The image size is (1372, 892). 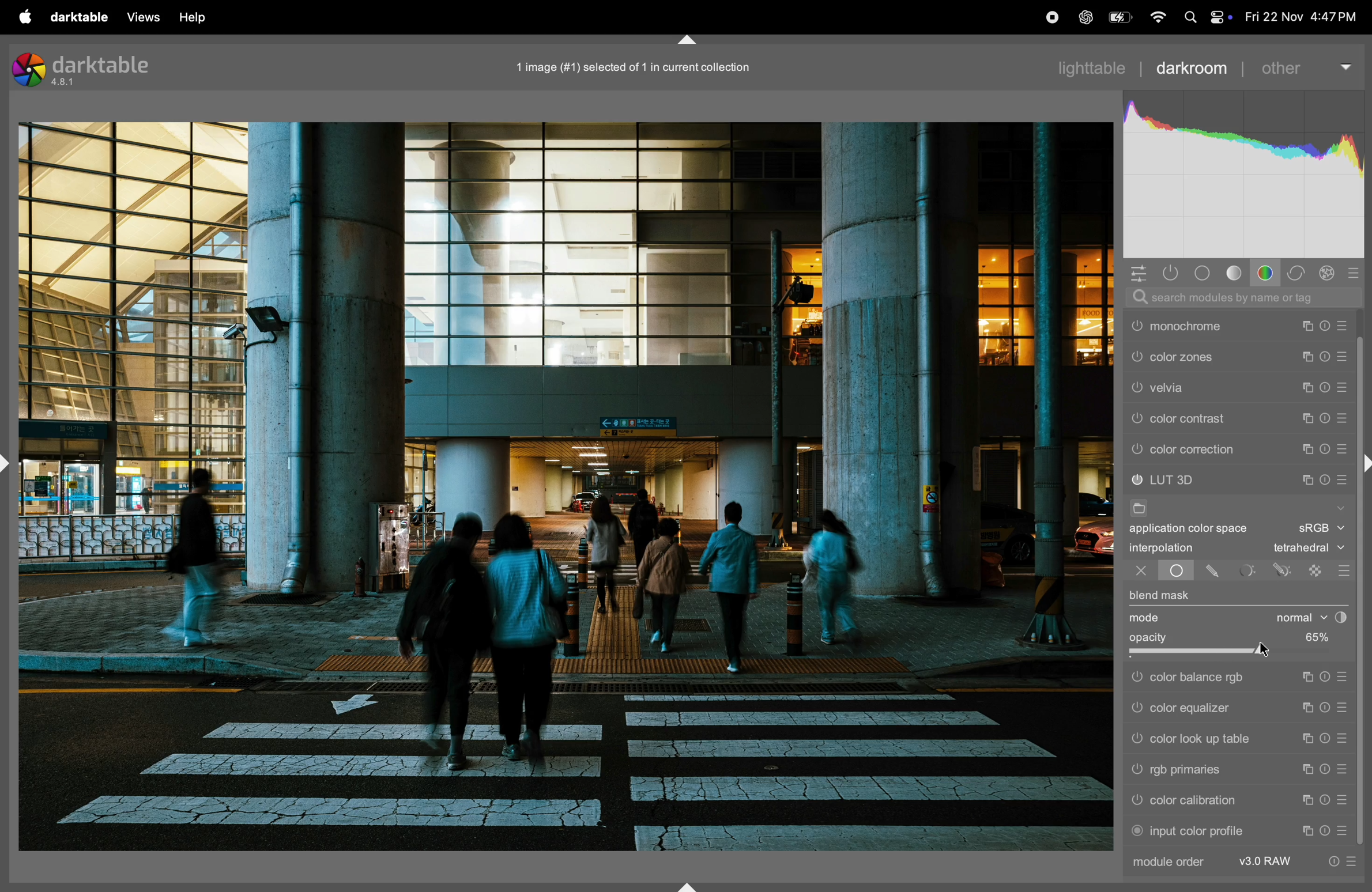 I want to click on effect, so click(x=1329, y=273).